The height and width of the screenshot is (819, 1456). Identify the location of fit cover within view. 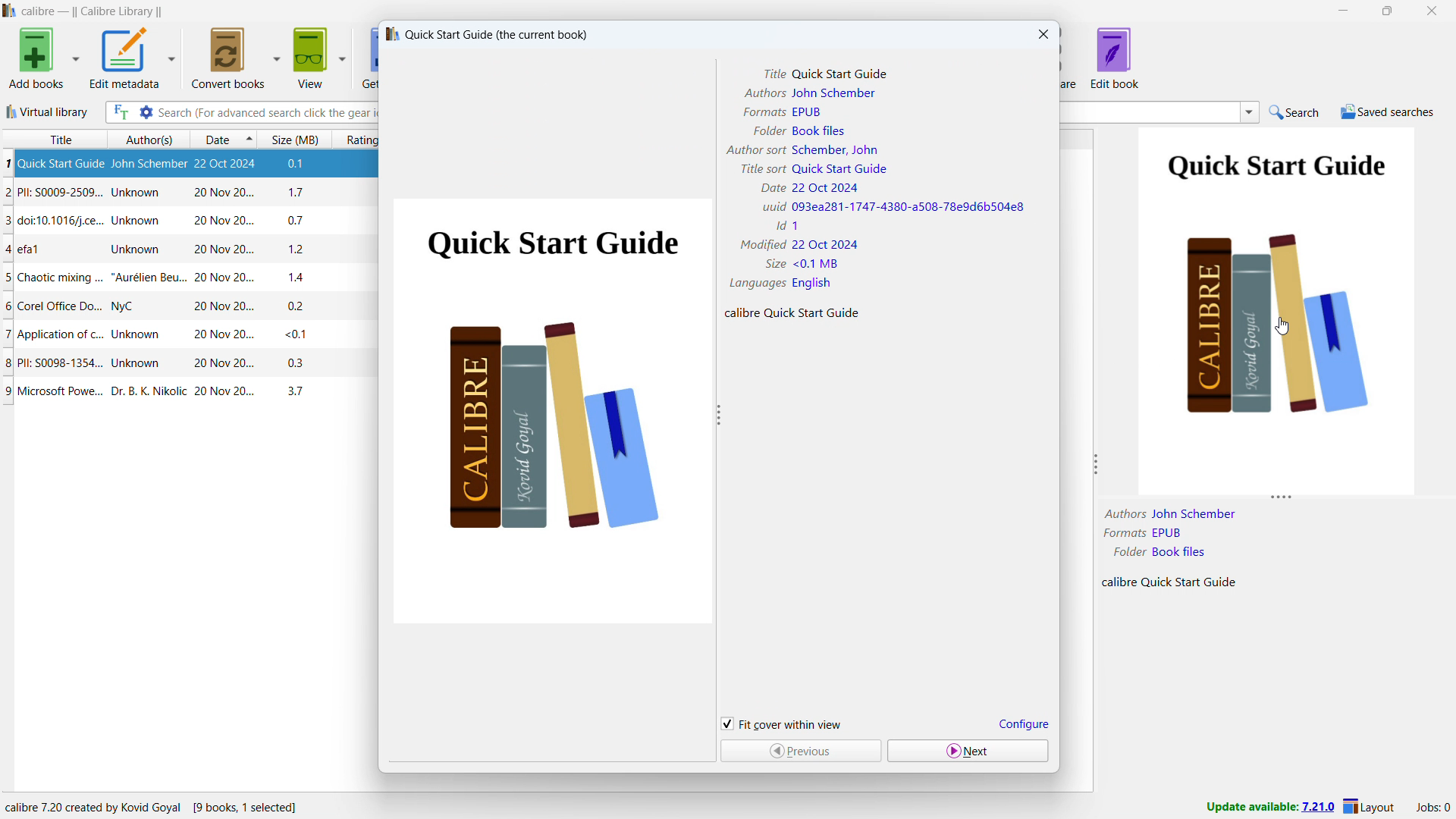
(782, 723).